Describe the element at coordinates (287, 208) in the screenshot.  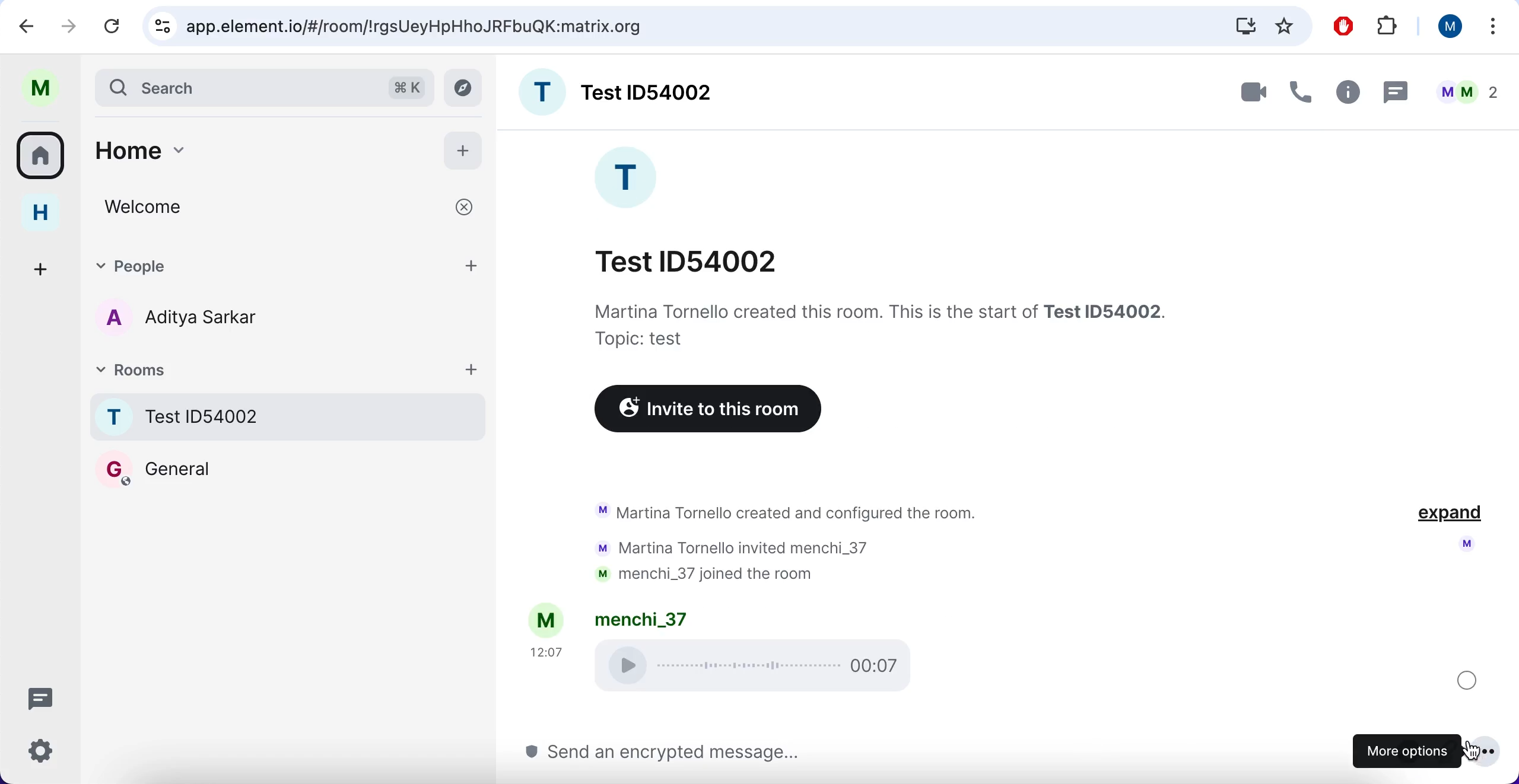
I see `welcome` at that location.